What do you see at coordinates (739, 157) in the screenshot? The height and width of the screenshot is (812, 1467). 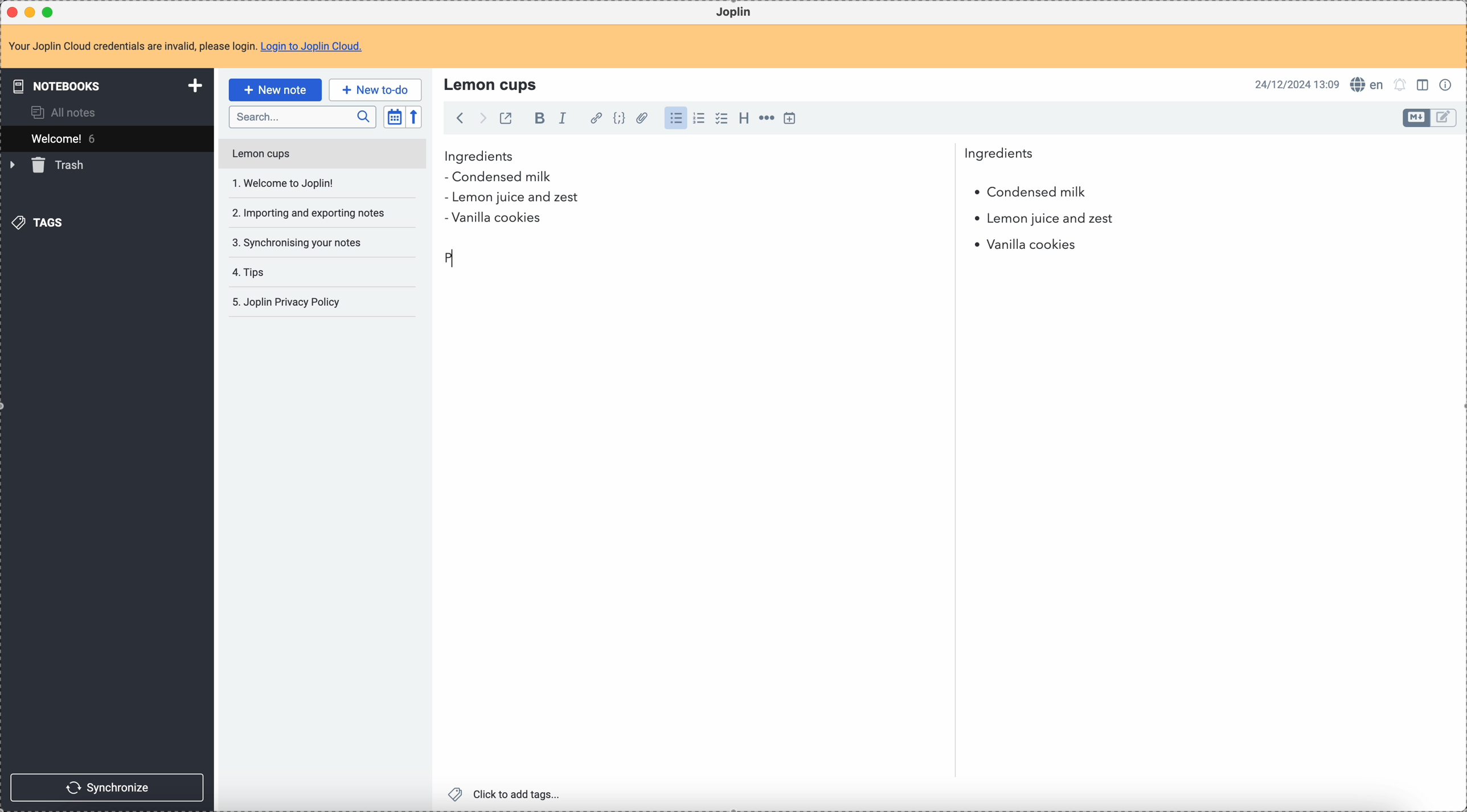 I see `ingredients` at bounding box center [739, 157].